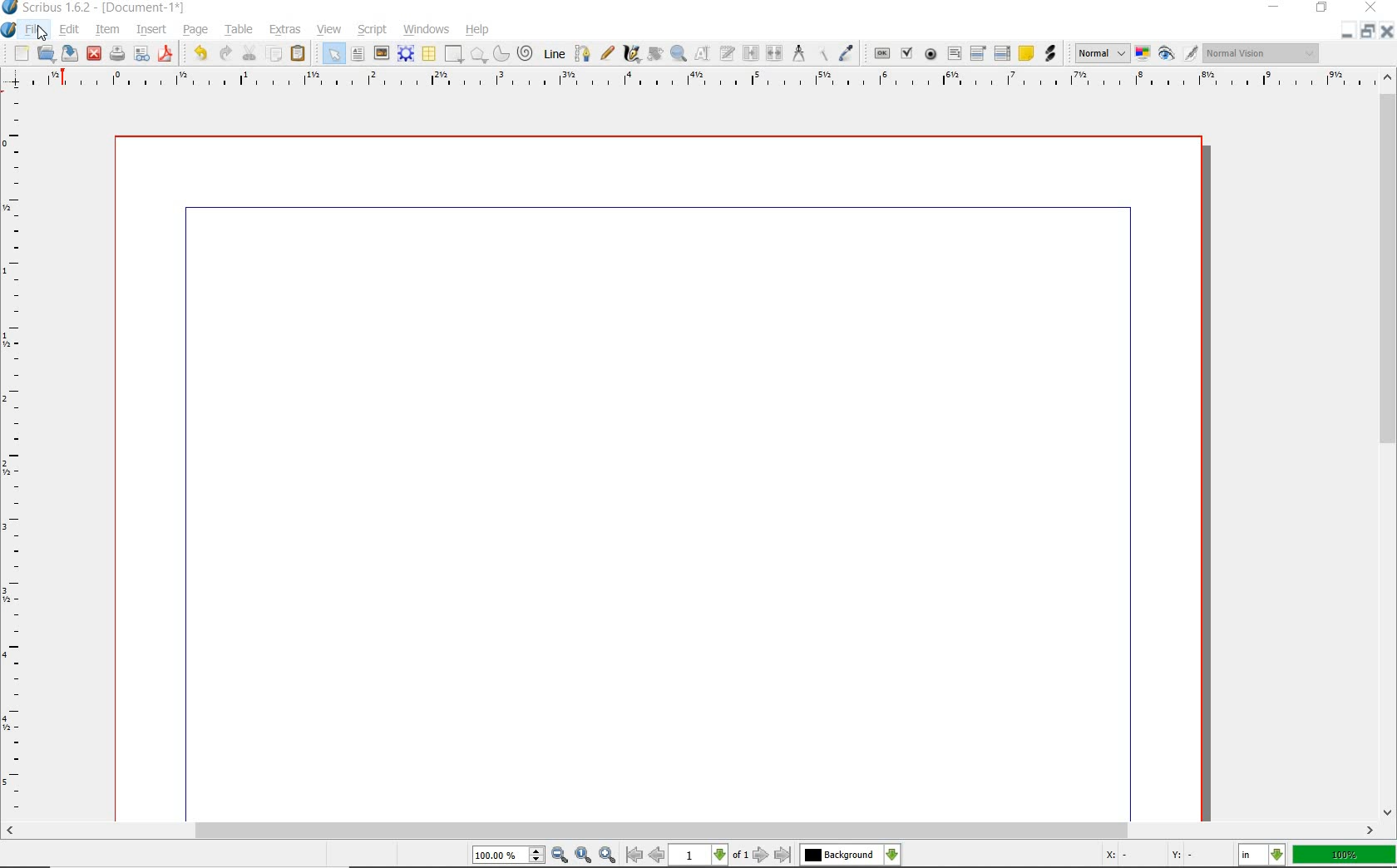 The width and height of the screenshot is (1397, 868). I want to click on close, so click(94, 53).